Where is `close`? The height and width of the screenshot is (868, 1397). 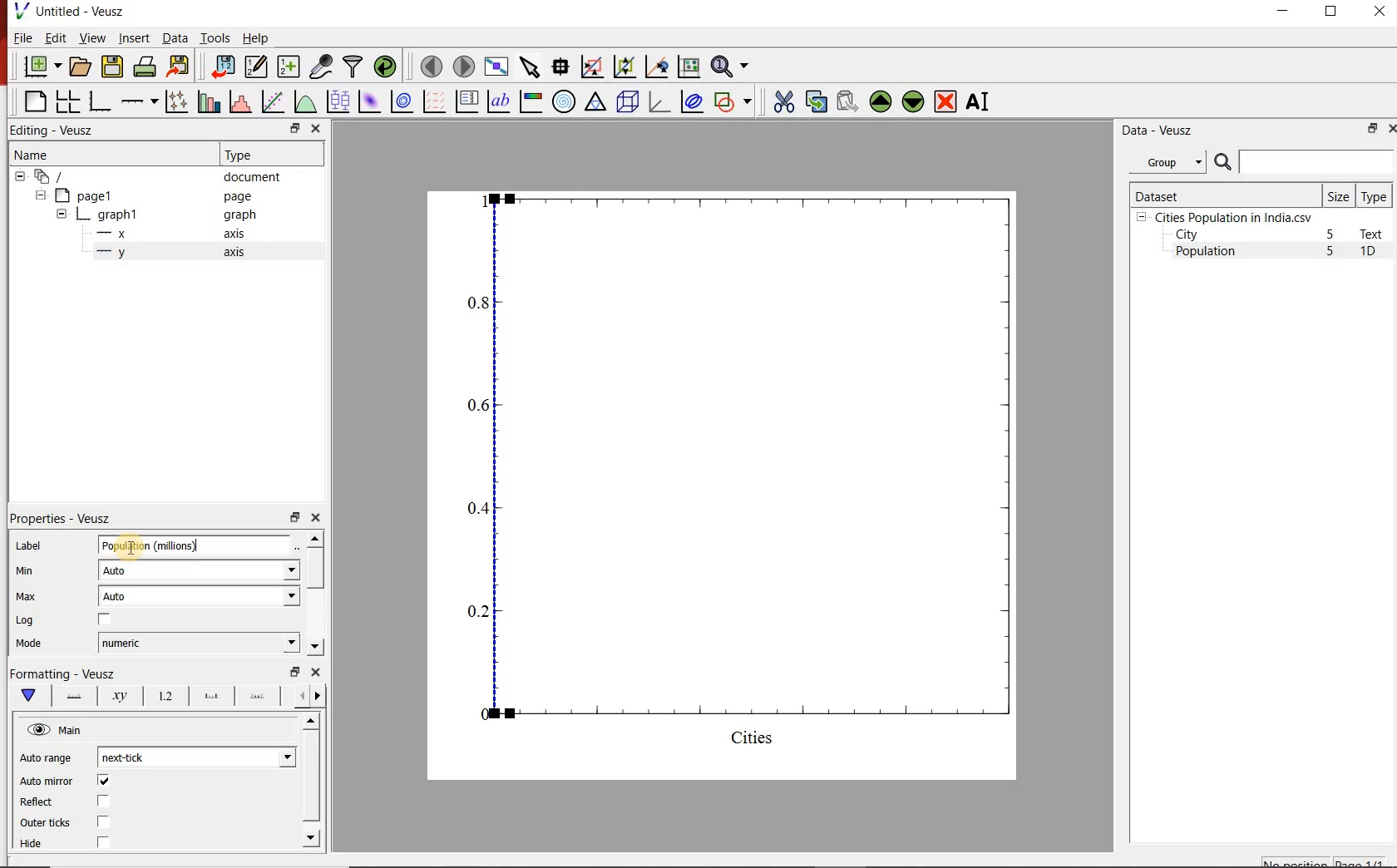
close is located at coordinates (315, 518).